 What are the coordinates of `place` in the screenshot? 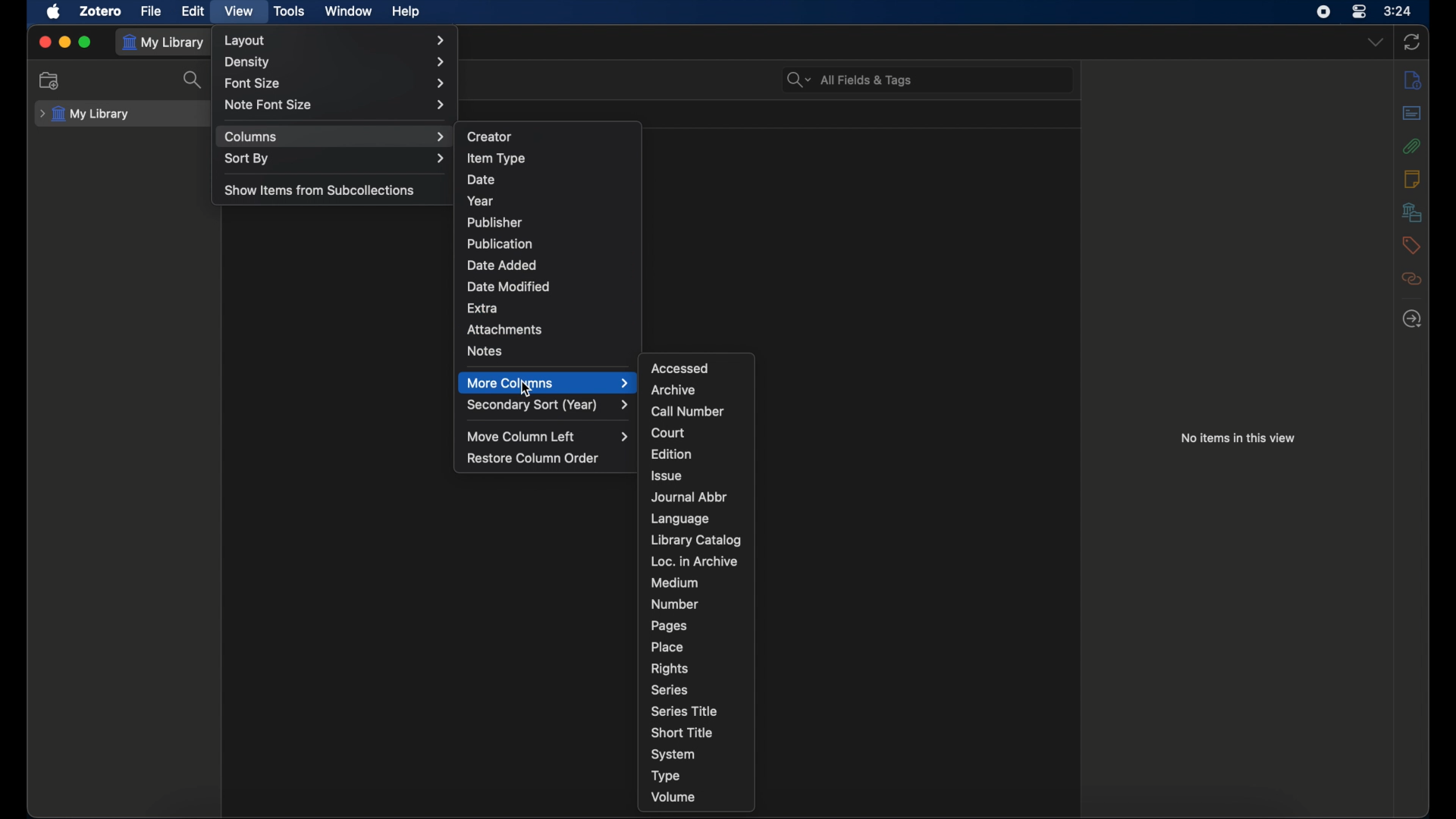 It's located at (667, 647).